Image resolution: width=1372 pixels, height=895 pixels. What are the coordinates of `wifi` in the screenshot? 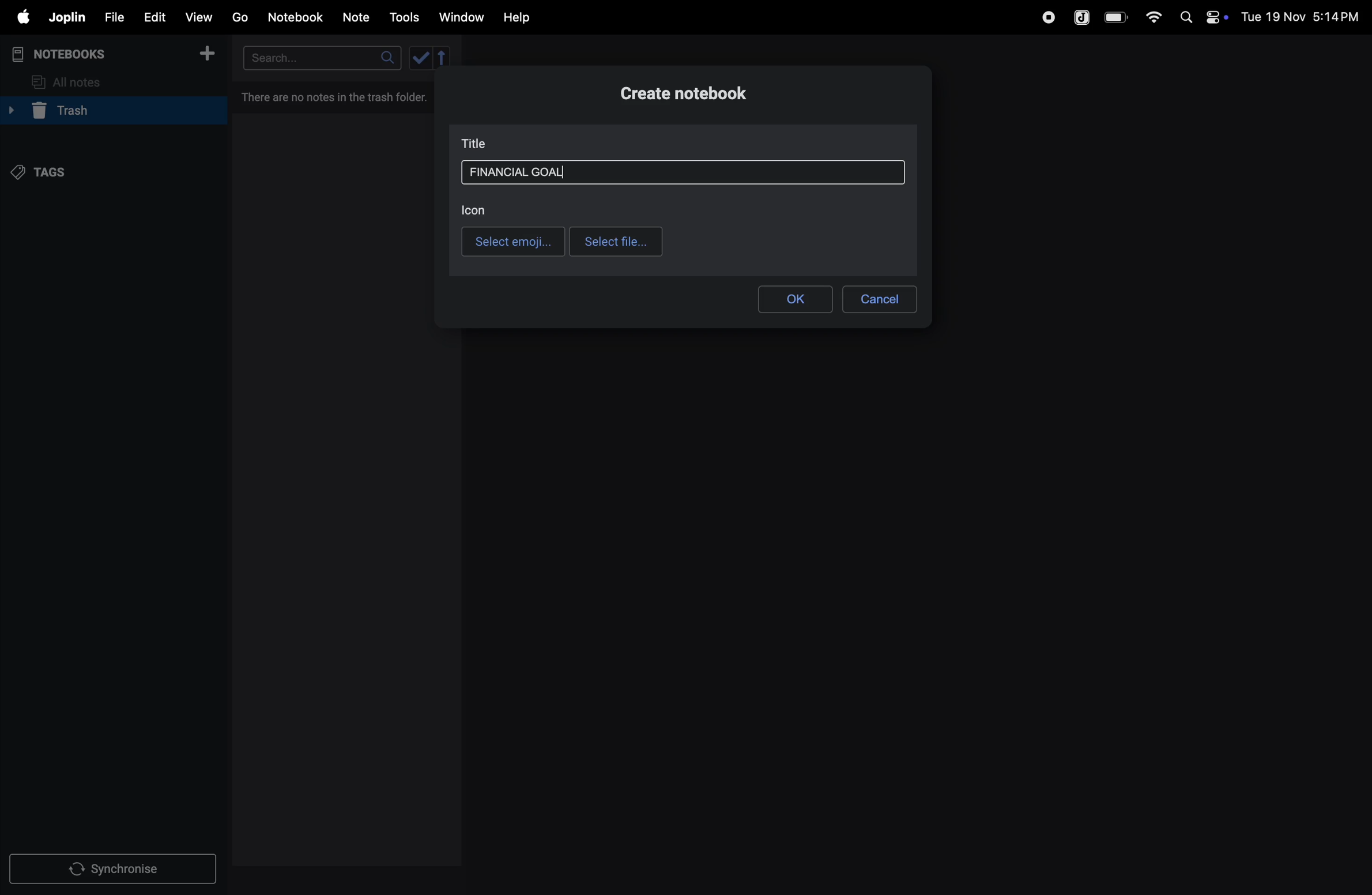 It's located at (1150, 17).